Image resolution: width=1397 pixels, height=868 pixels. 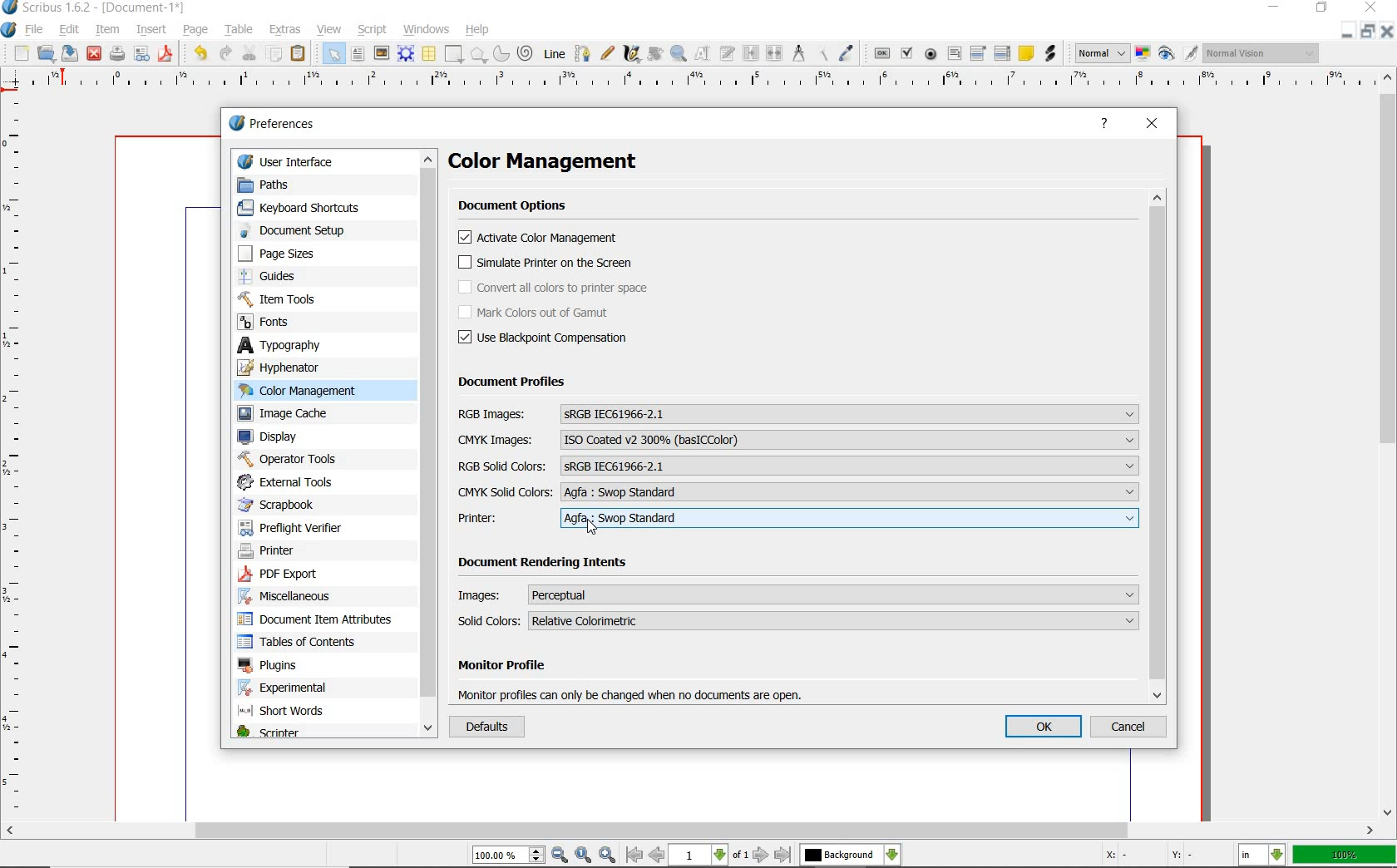 What do you see at coordinates (455, 54) in the screenshot?
I see `shape` at bounding box center [455, 54].